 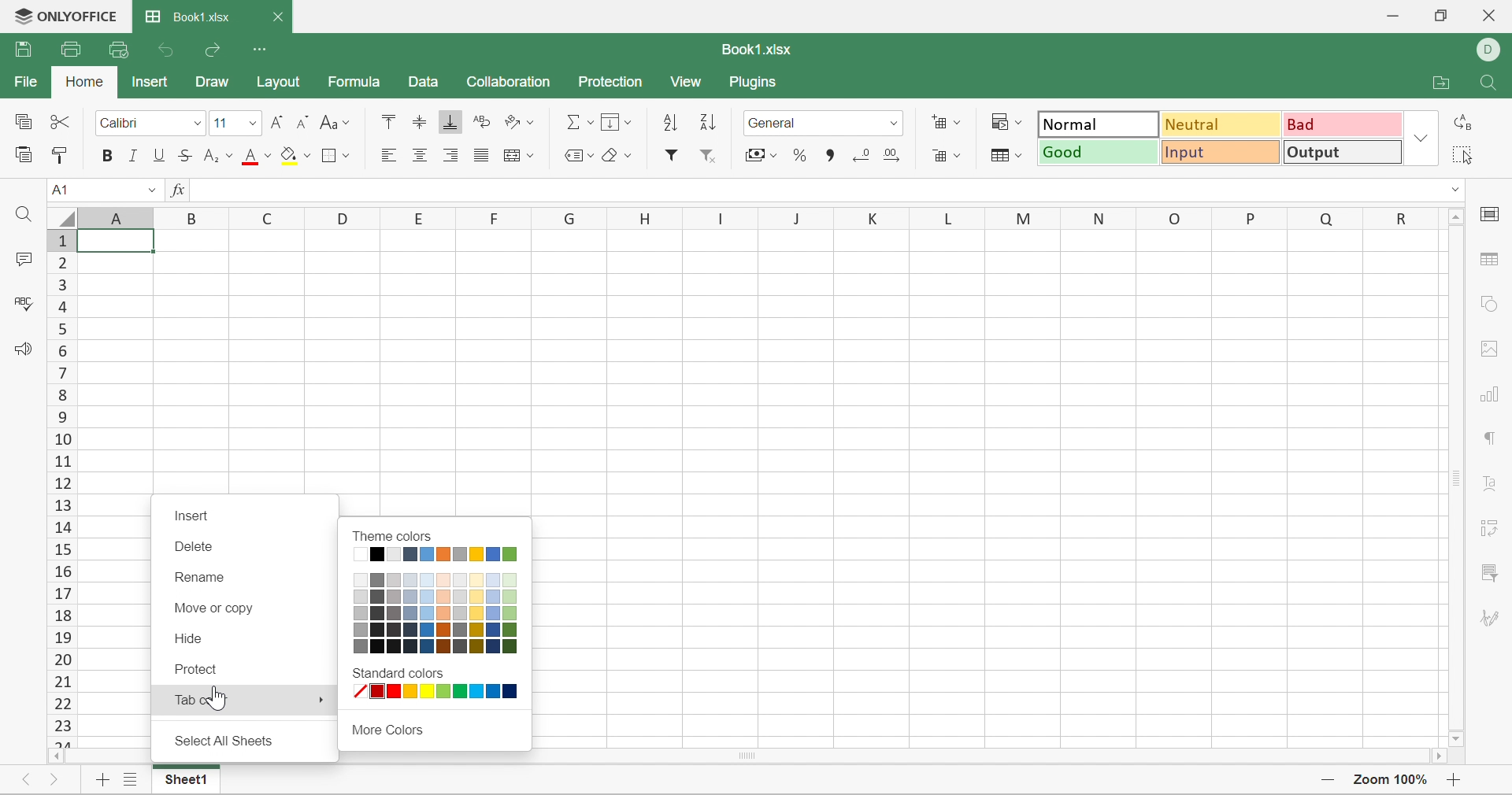 What do you see at coordinates (1326, 780) in the screenshot?
I see `Zoom out` at bounding box center [1326, 780].